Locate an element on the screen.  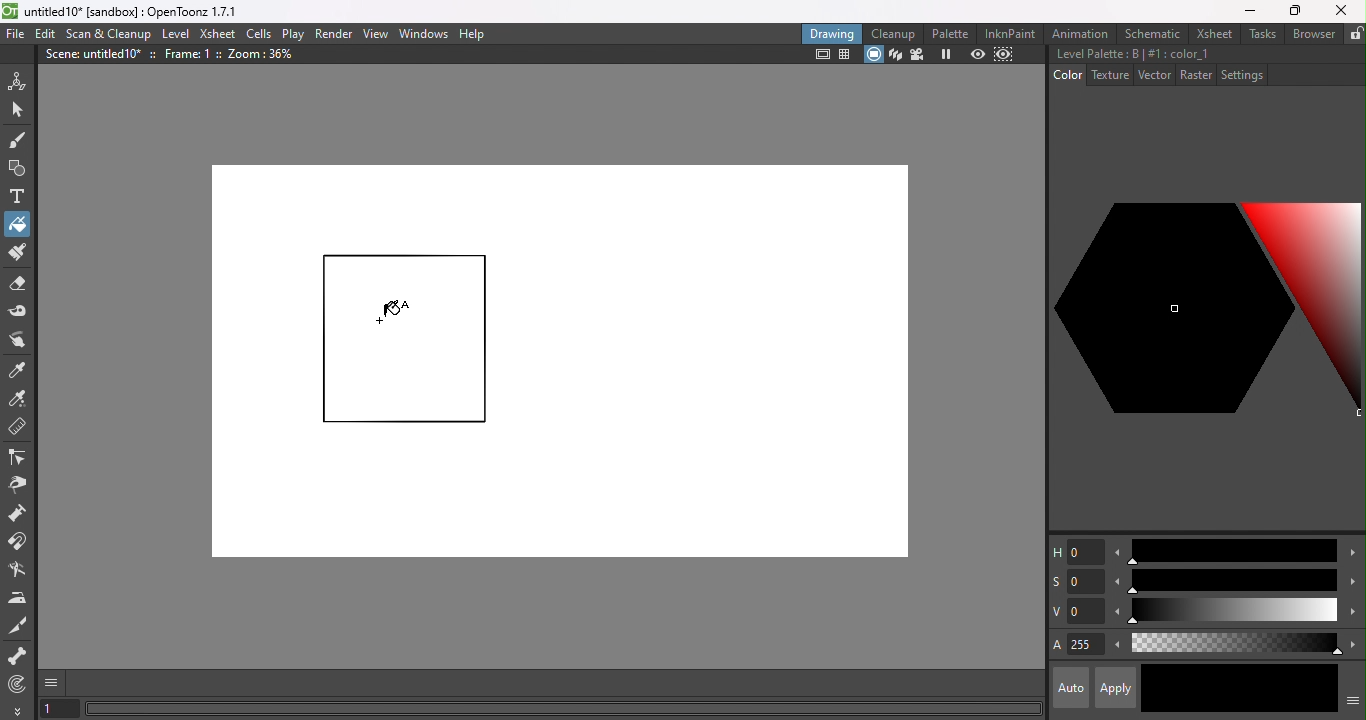
Windows is located at coordinates (424, 32).